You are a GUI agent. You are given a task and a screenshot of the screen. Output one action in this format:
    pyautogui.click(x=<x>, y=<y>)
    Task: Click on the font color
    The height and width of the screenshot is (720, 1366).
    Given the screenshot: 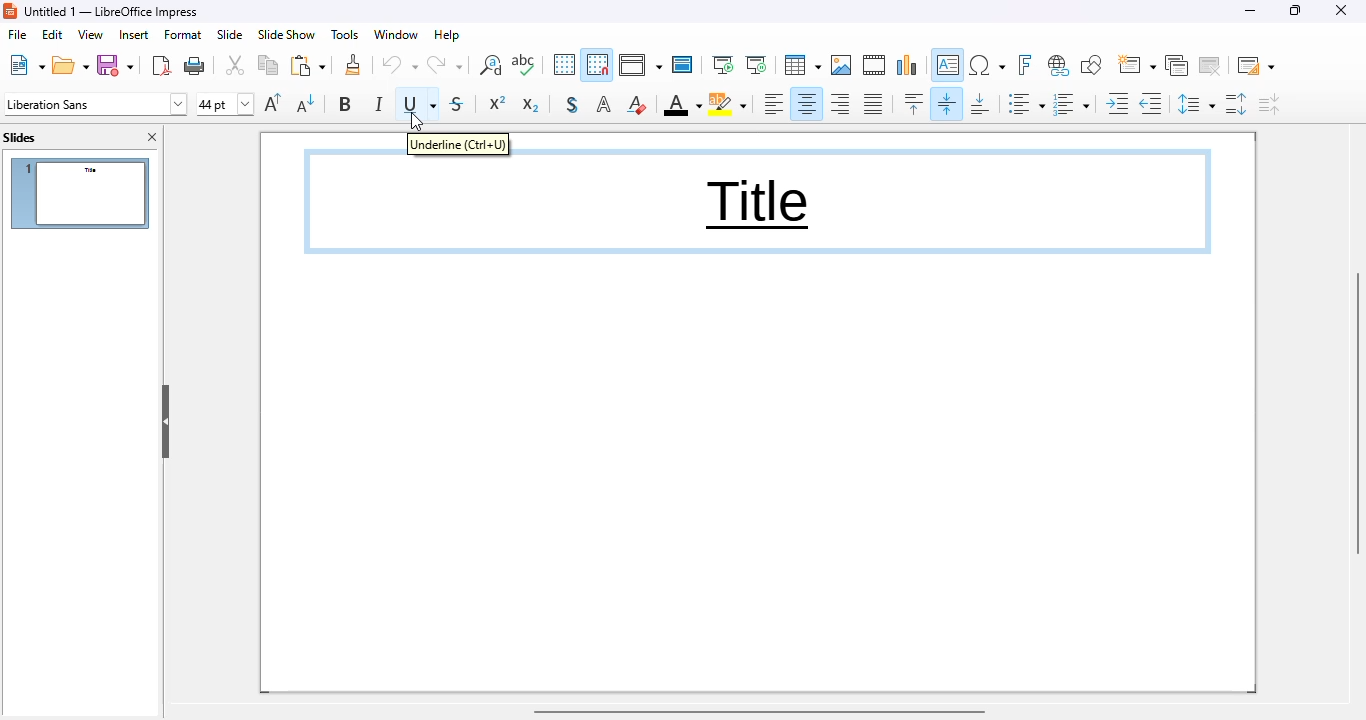 What is the action you would take?
    pyautogui.click(x=682, y=105)
    